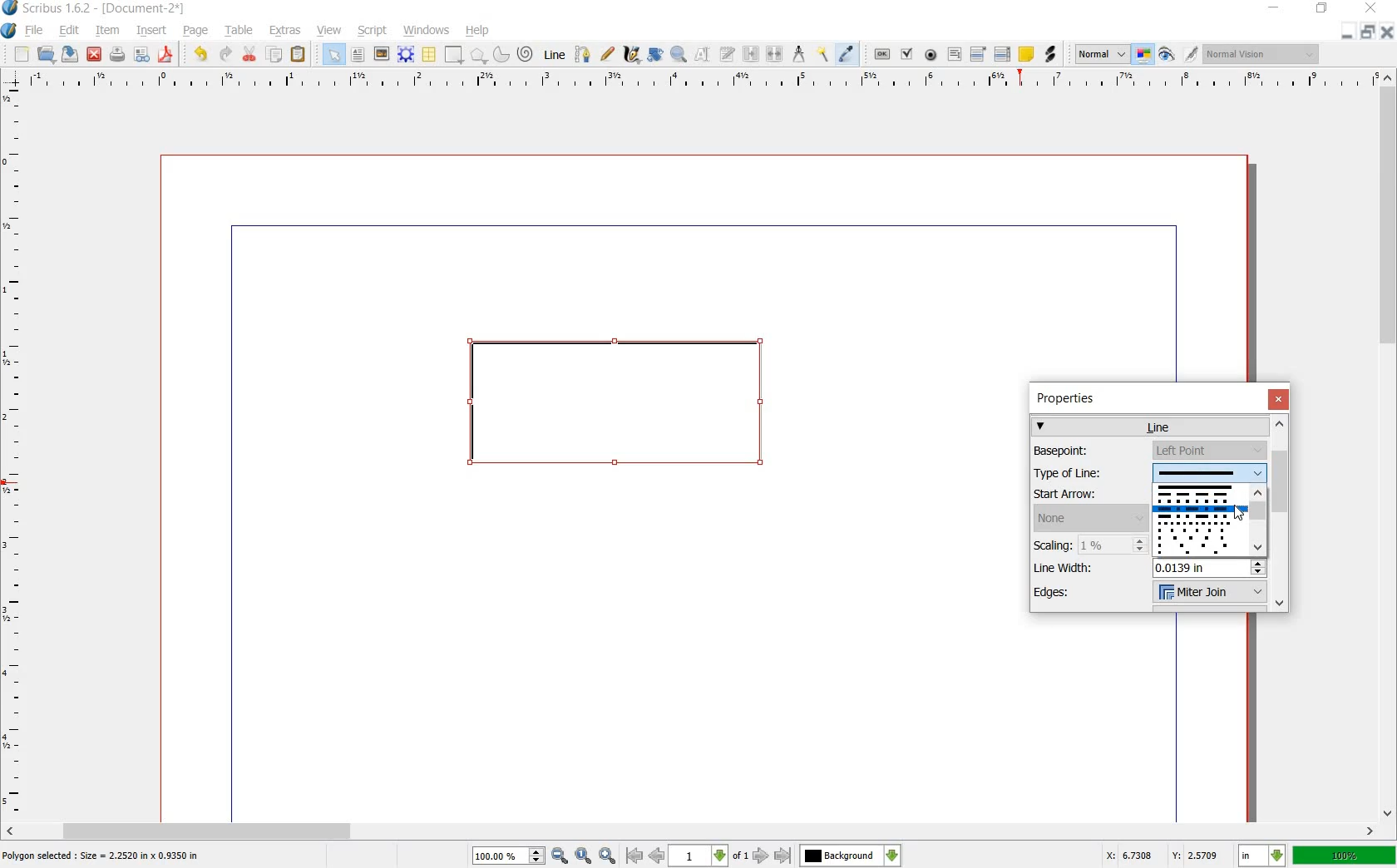  What do you see at coordinates (585, 55) in the screenshot?
I see `BEZIER CURVE` at bounding box center [585, 55].